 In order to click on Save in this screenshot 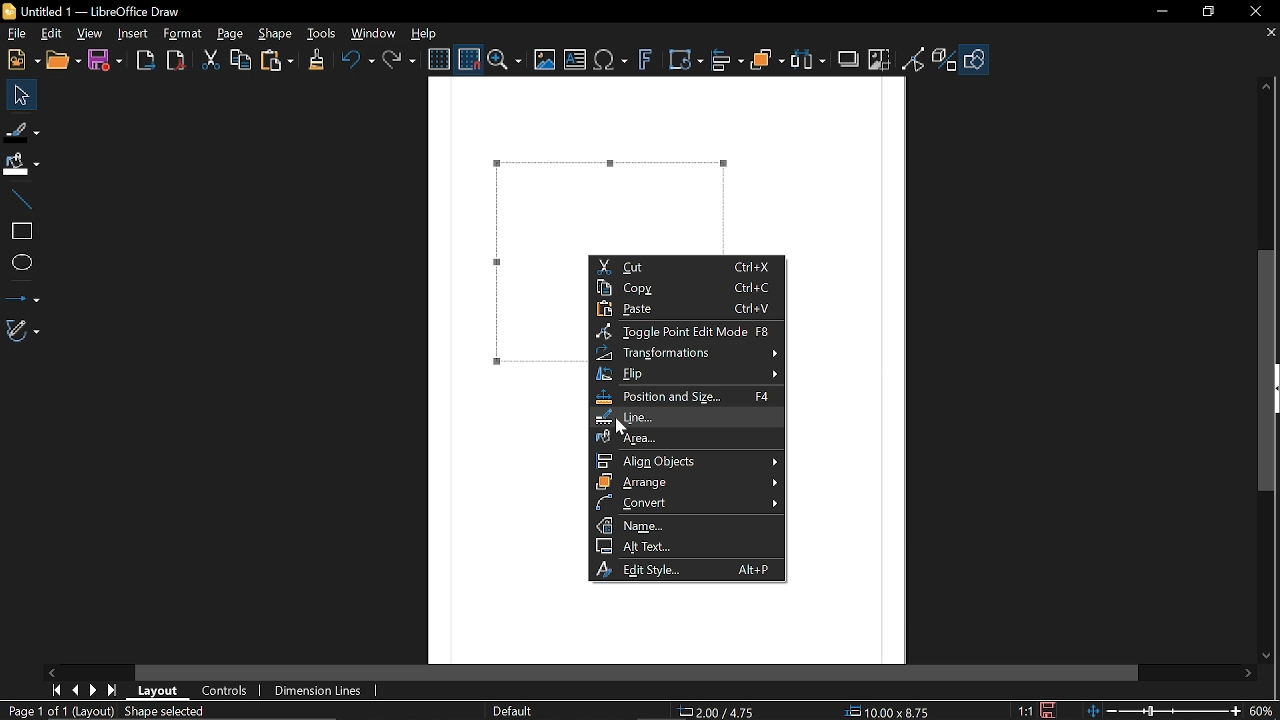, I will do `click(103, 61)`.